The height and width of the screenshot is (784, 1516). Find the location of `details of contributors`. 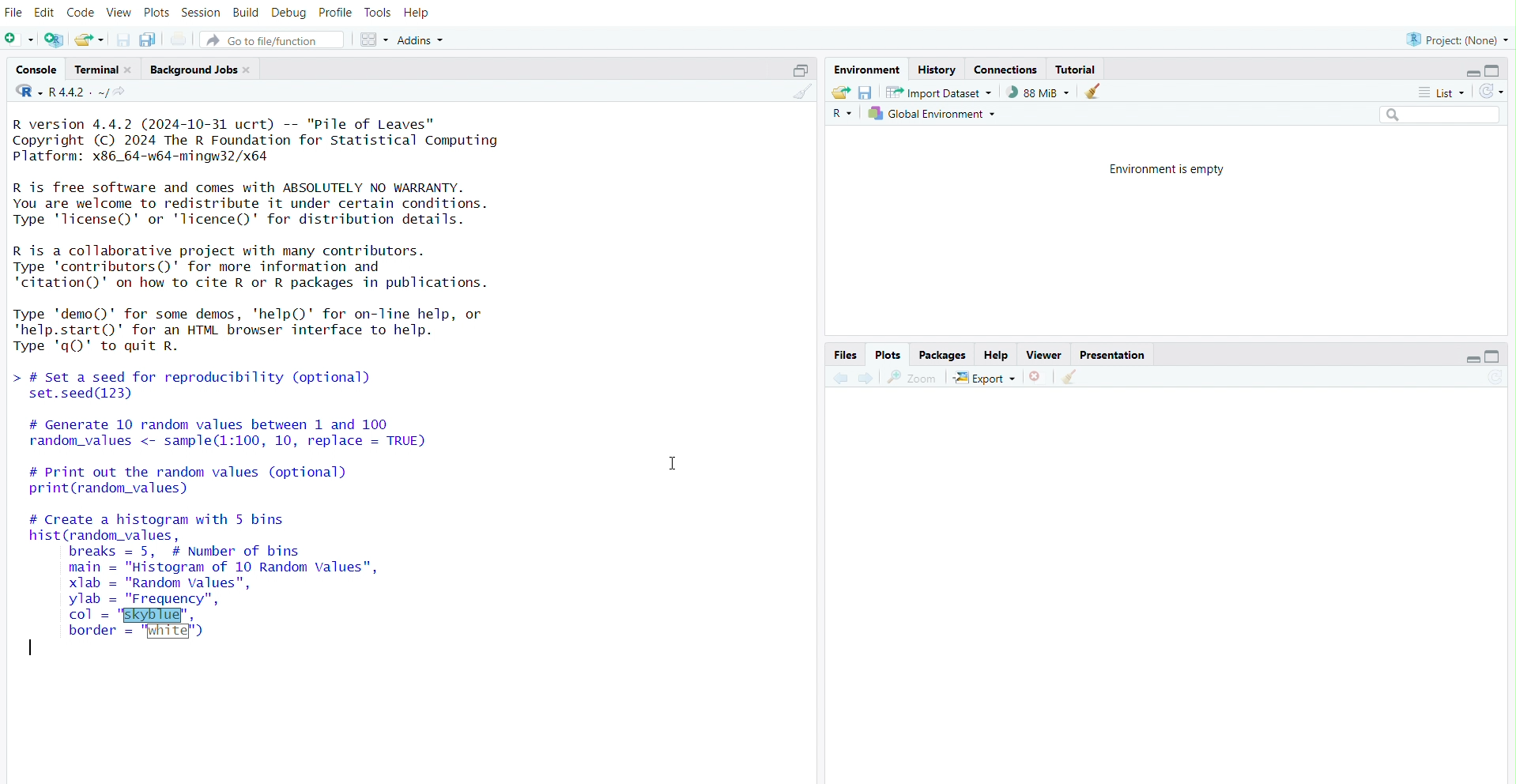

details of contributors is located at coordinates (289, 266).